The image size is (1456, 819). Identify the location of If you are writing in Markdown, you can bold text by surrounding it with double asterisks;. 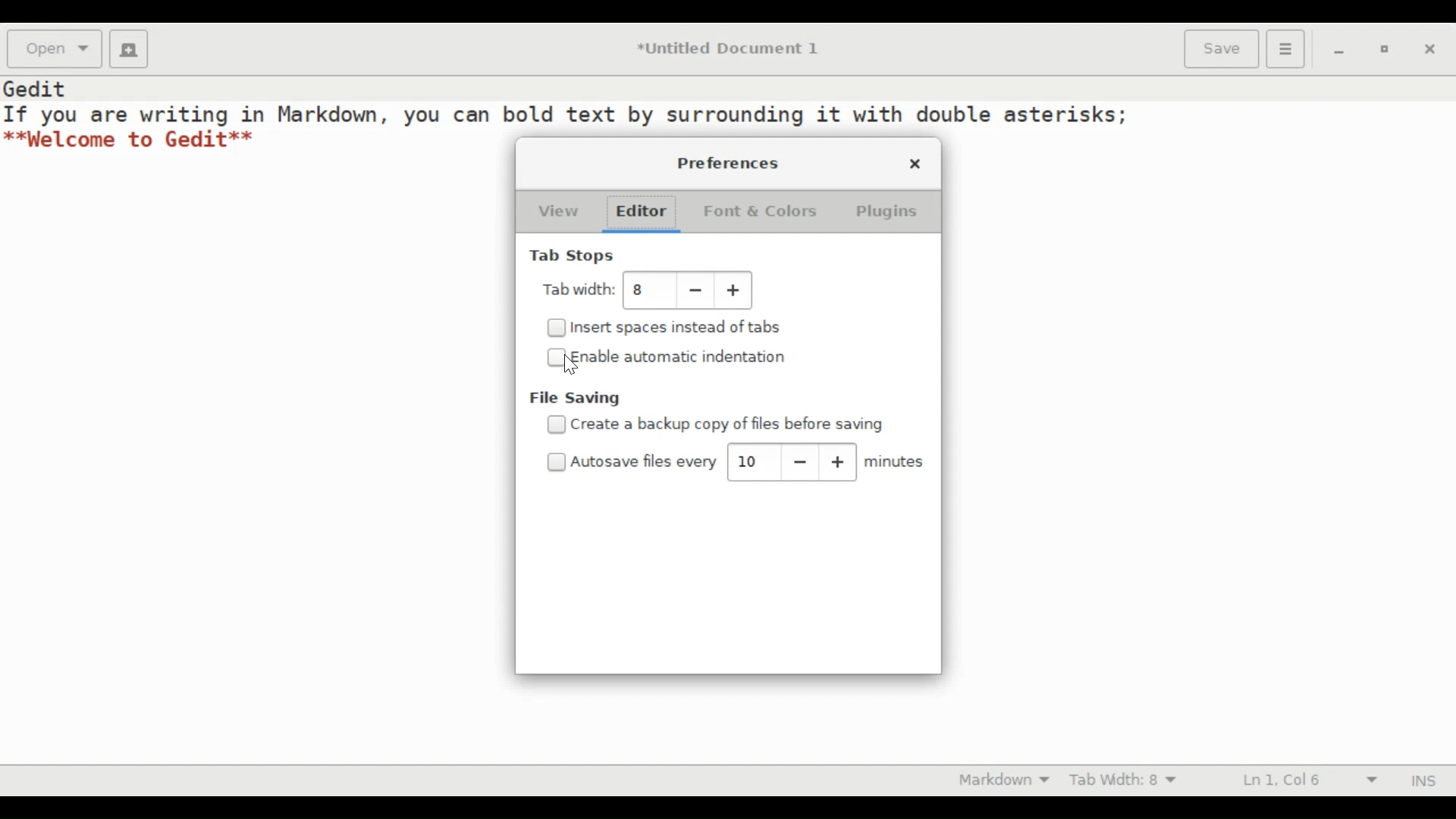
(566, 113).